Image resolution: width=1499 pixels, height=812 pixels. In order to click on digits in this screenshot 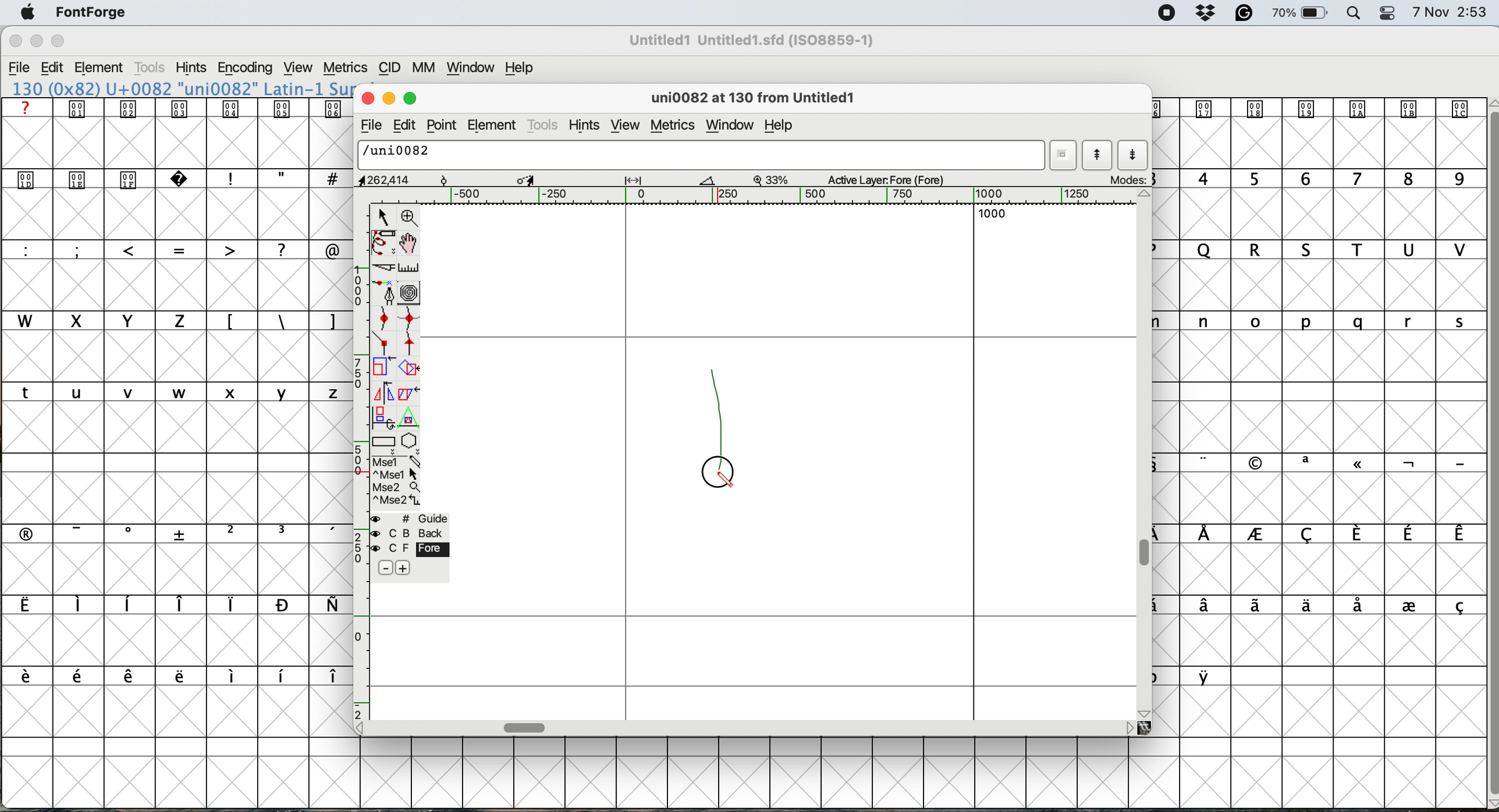, I will do `click(1315, 180)`.